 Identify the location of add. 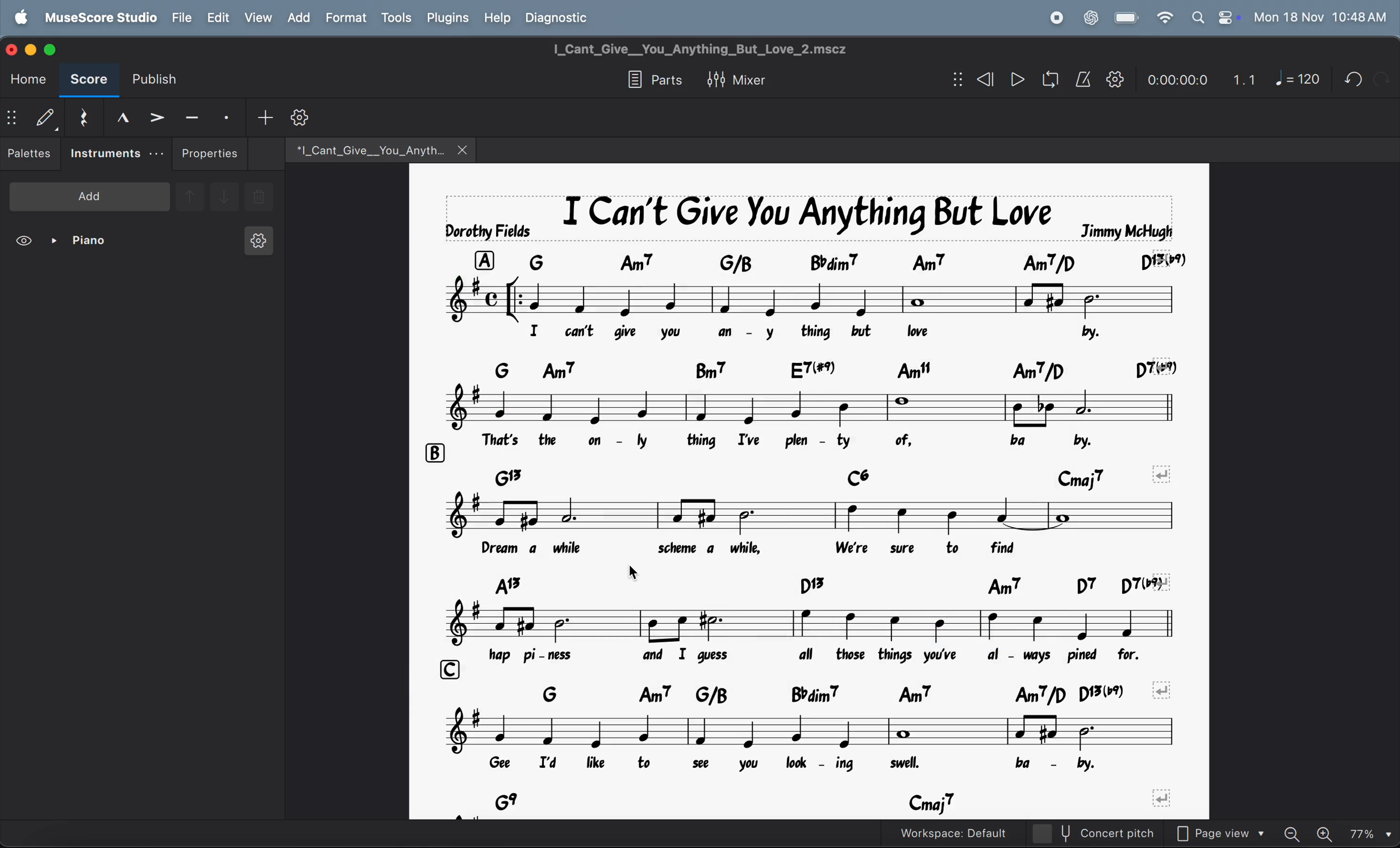
(90, 195).